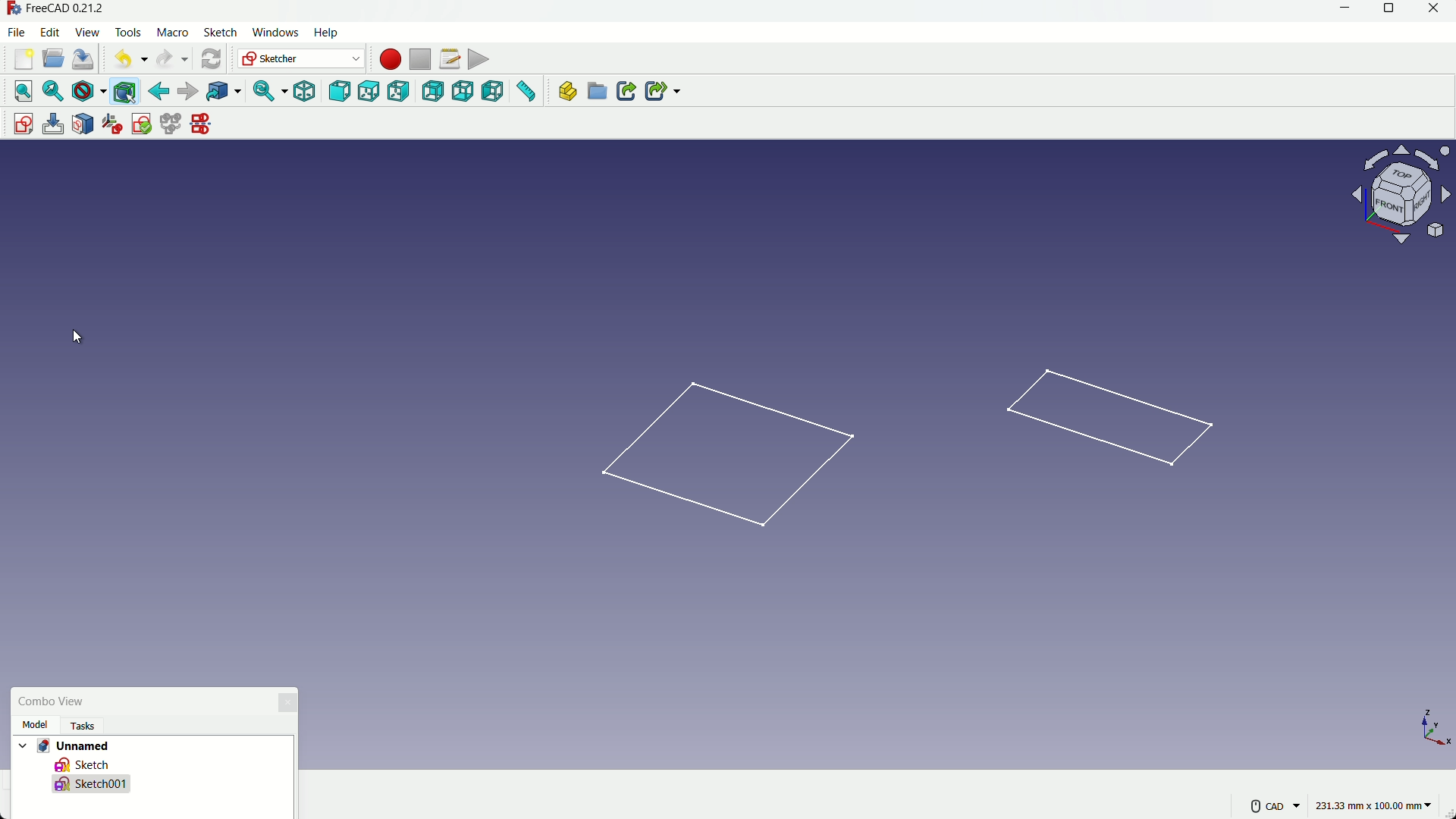 Image resolution: width=1456 pixels, height=819 pixels. Describe the element at coordinates (87, 765) in the screenshot. I see `sketch` at that location.